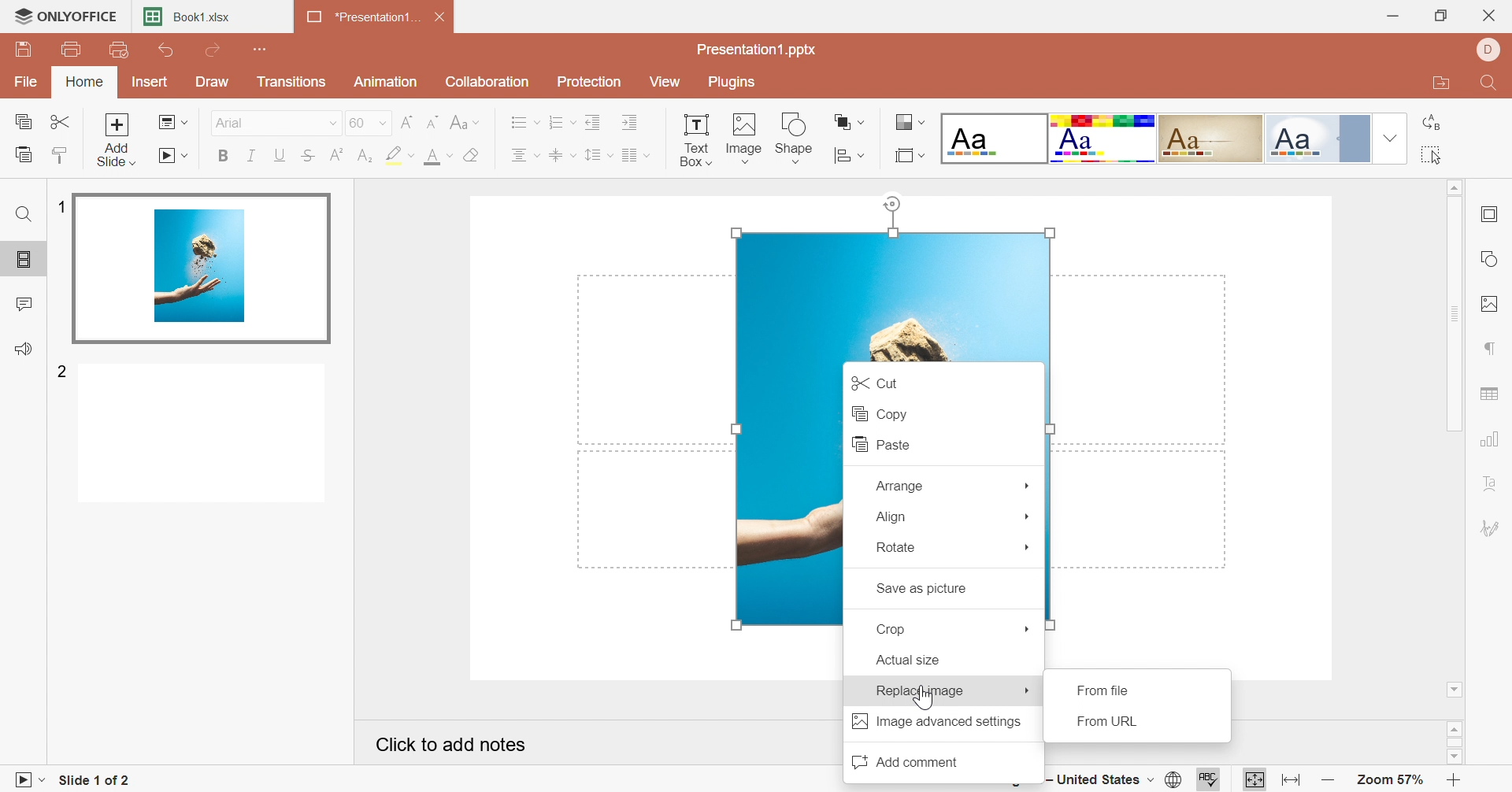 This screenshot has width=1512, height=792. What do you see at coordinates (62, 373) in the screenshot?
I see `2` at bounding box center [62, 373].